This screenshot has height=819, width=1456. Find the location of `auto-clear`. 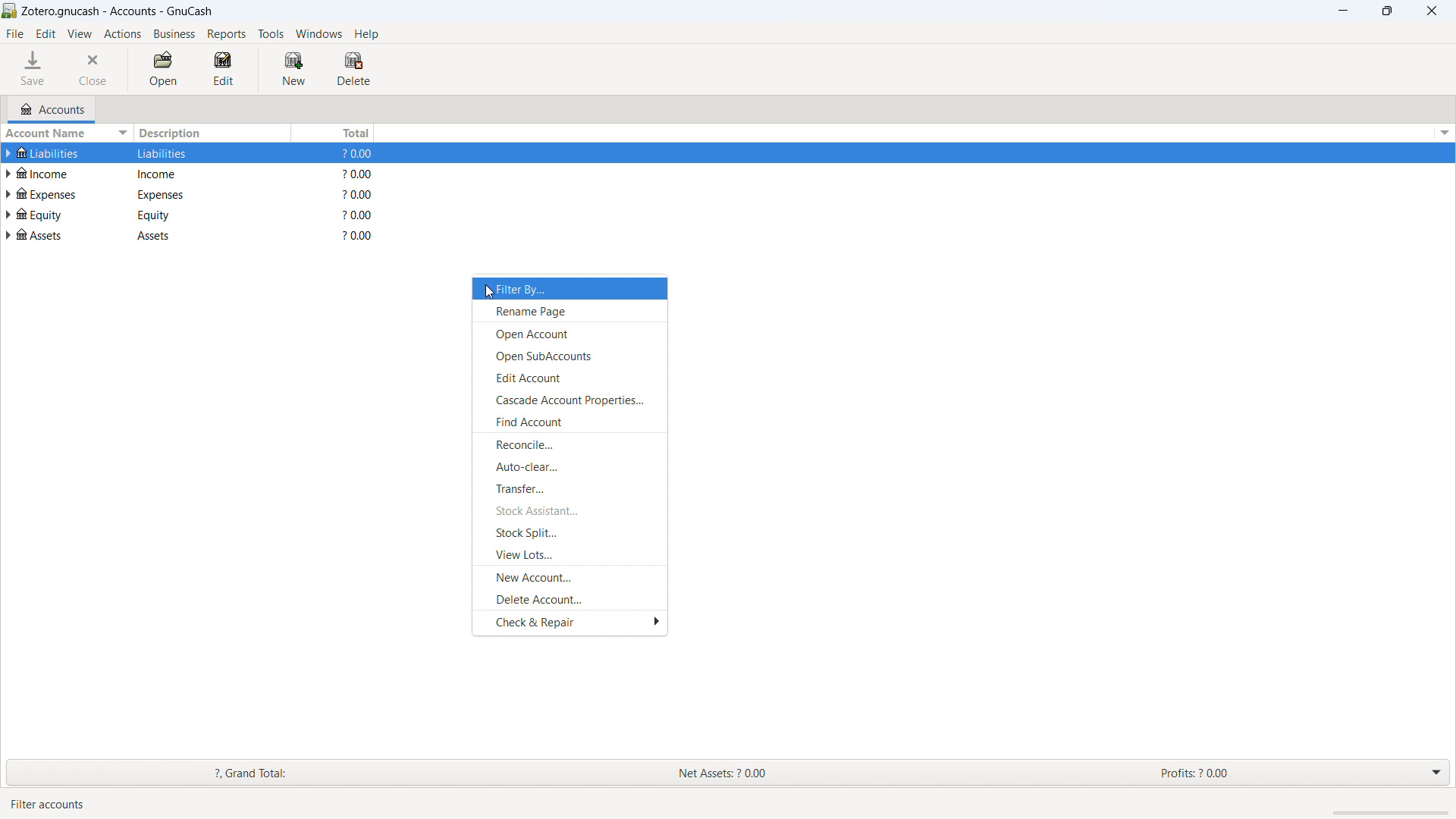

auto-clear is located at coordinates (570, 466).